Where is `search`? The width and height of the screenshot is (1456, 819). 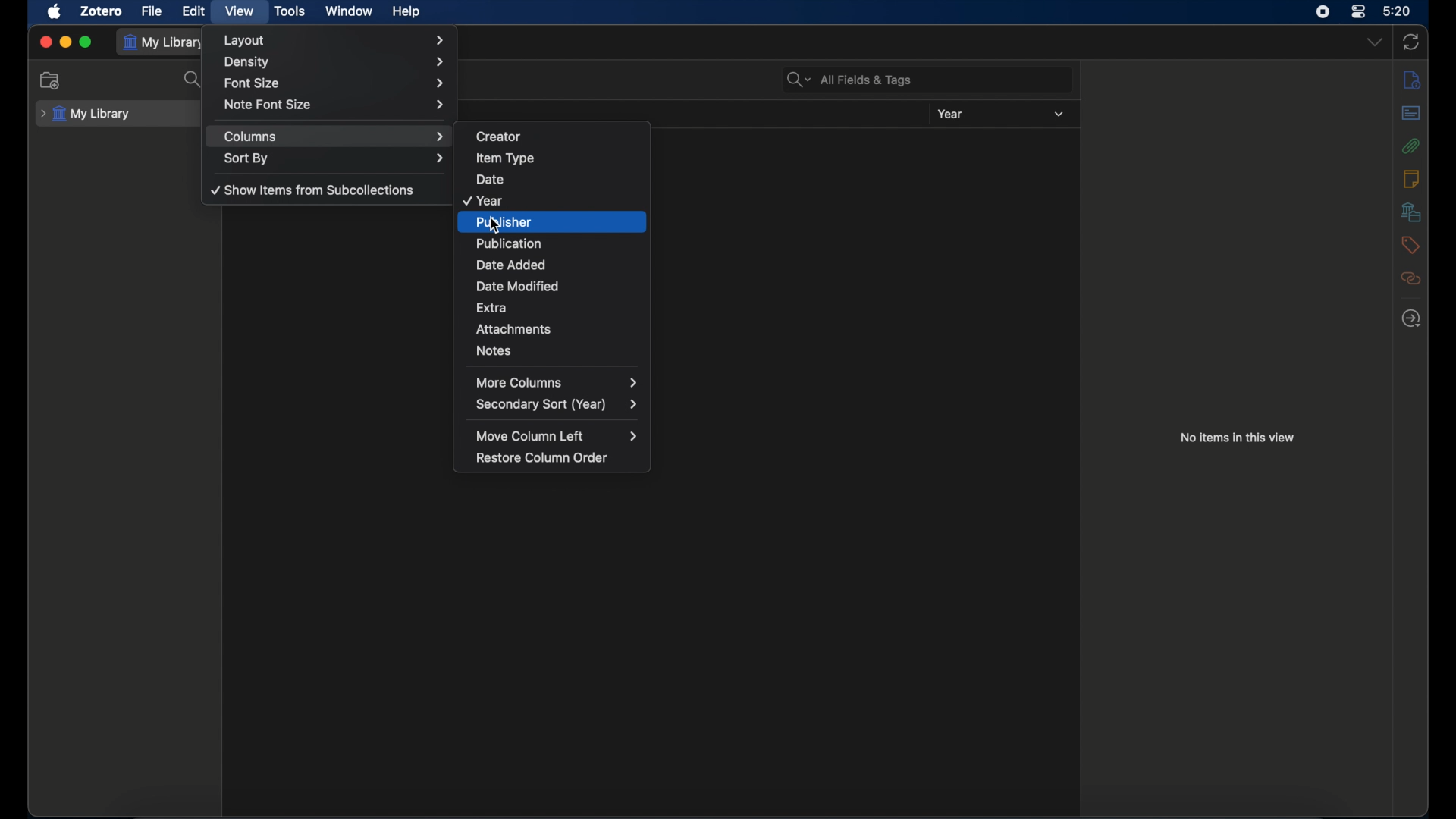 search is located at coordinates (194, 80).